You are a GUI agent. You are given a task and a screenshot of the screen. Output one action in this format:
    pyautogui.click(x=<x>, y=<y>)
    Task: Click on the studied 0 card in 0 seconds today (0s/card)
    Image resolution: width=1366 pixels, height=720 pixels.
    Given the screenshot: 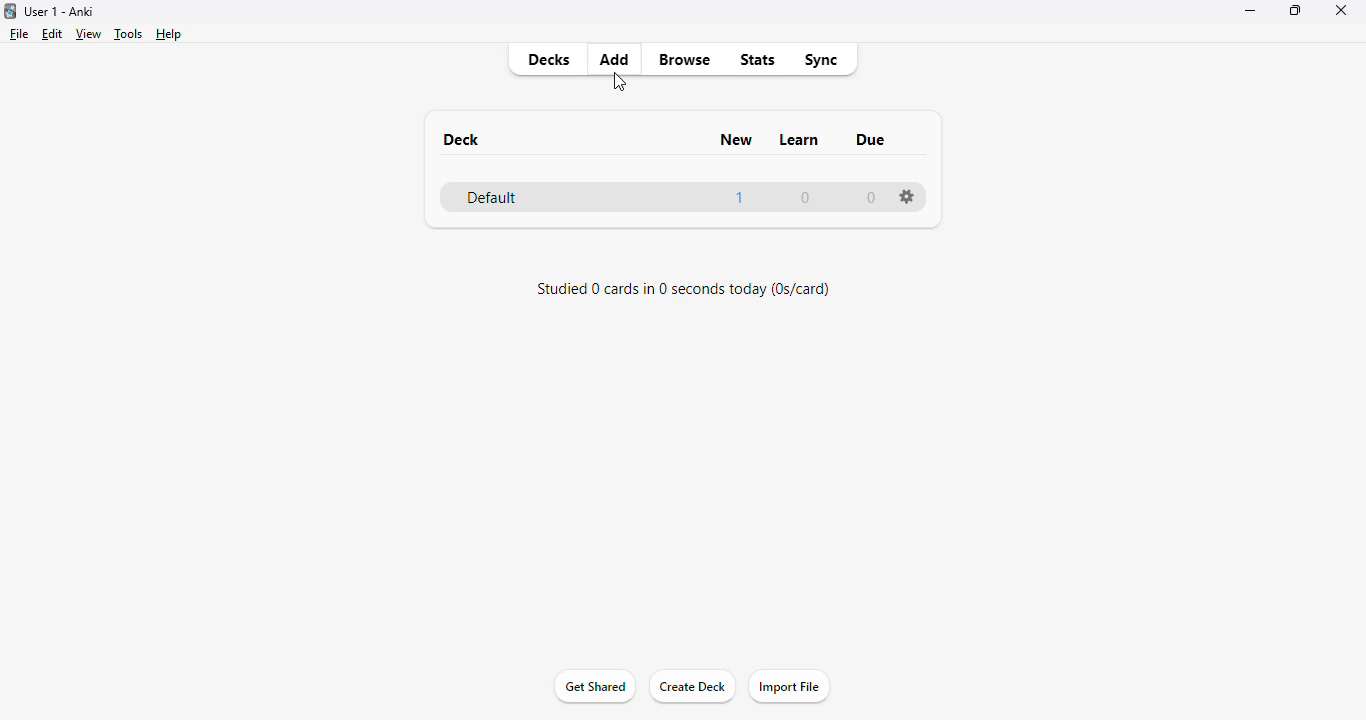 What is the action you would take?
    pyautogui.click(x=684, y=289)
    